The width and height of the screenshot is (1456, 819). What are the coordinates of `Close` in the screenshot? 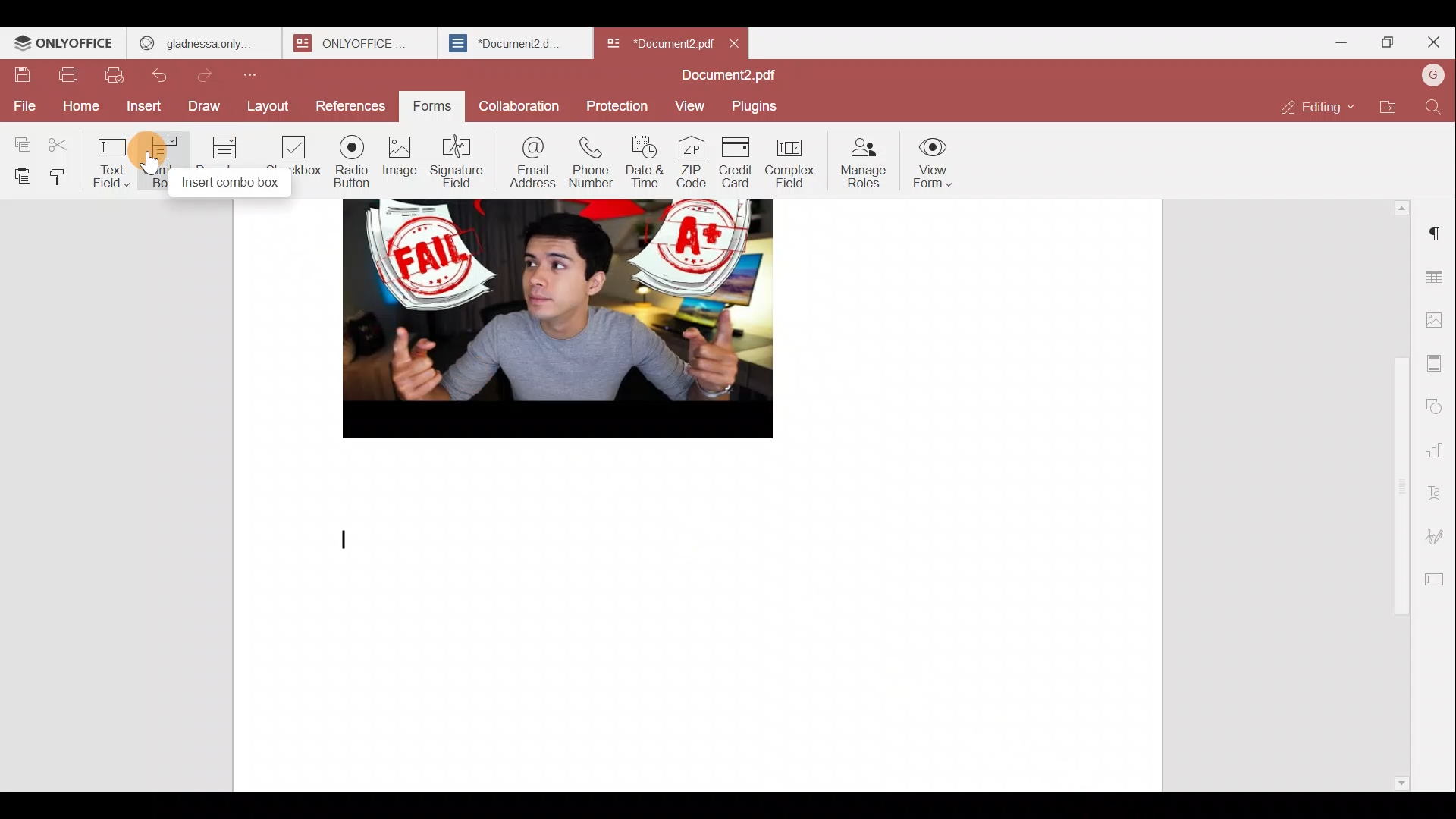 It's located at (1433, 42).